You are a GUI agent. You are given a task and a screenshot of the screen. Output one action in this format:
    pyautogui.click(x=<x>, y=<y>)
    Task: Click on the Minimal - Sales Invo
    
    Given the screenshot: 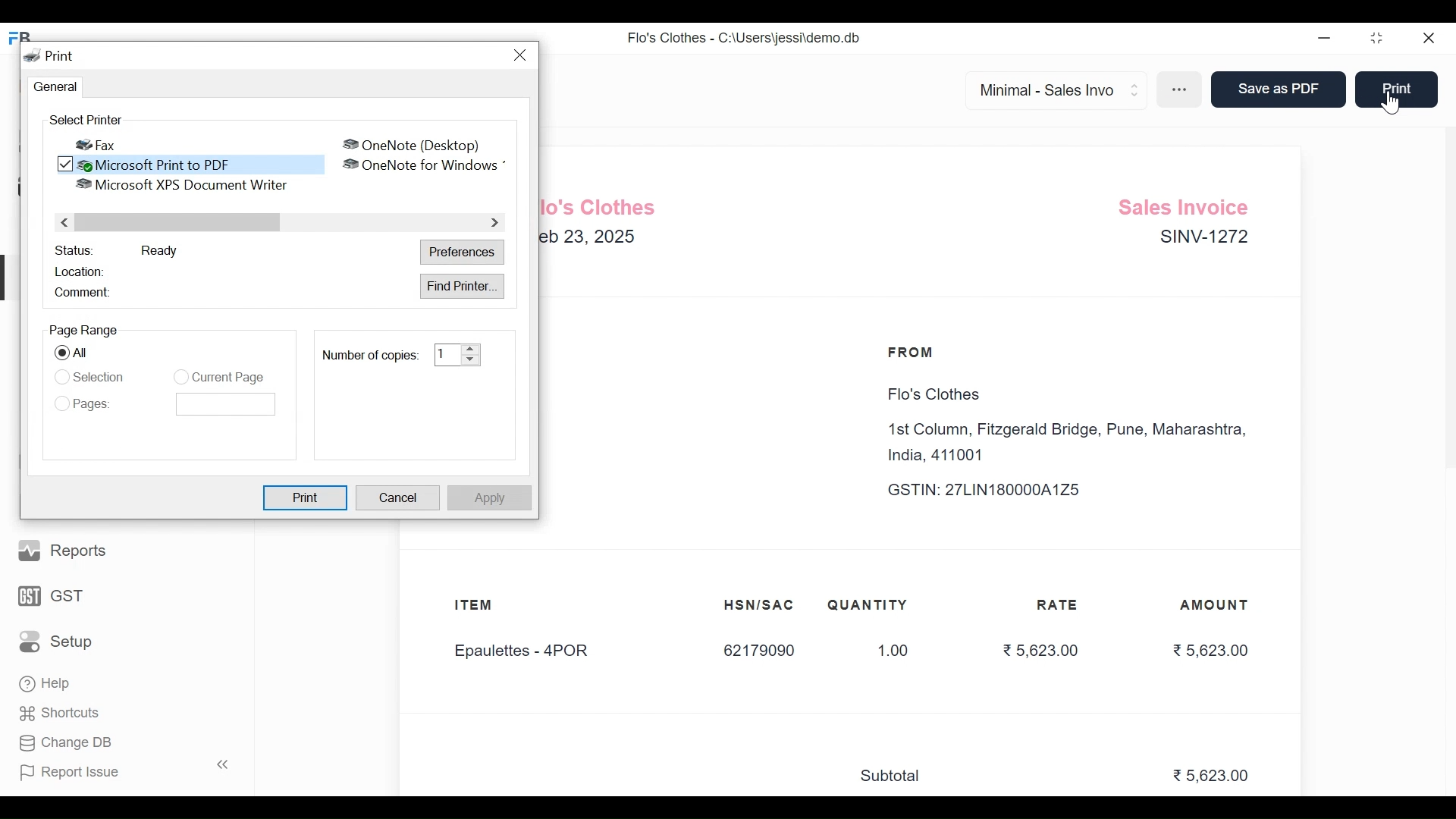 What is the action you would take?
    pyautogui.click(x=1050, y=89)
    